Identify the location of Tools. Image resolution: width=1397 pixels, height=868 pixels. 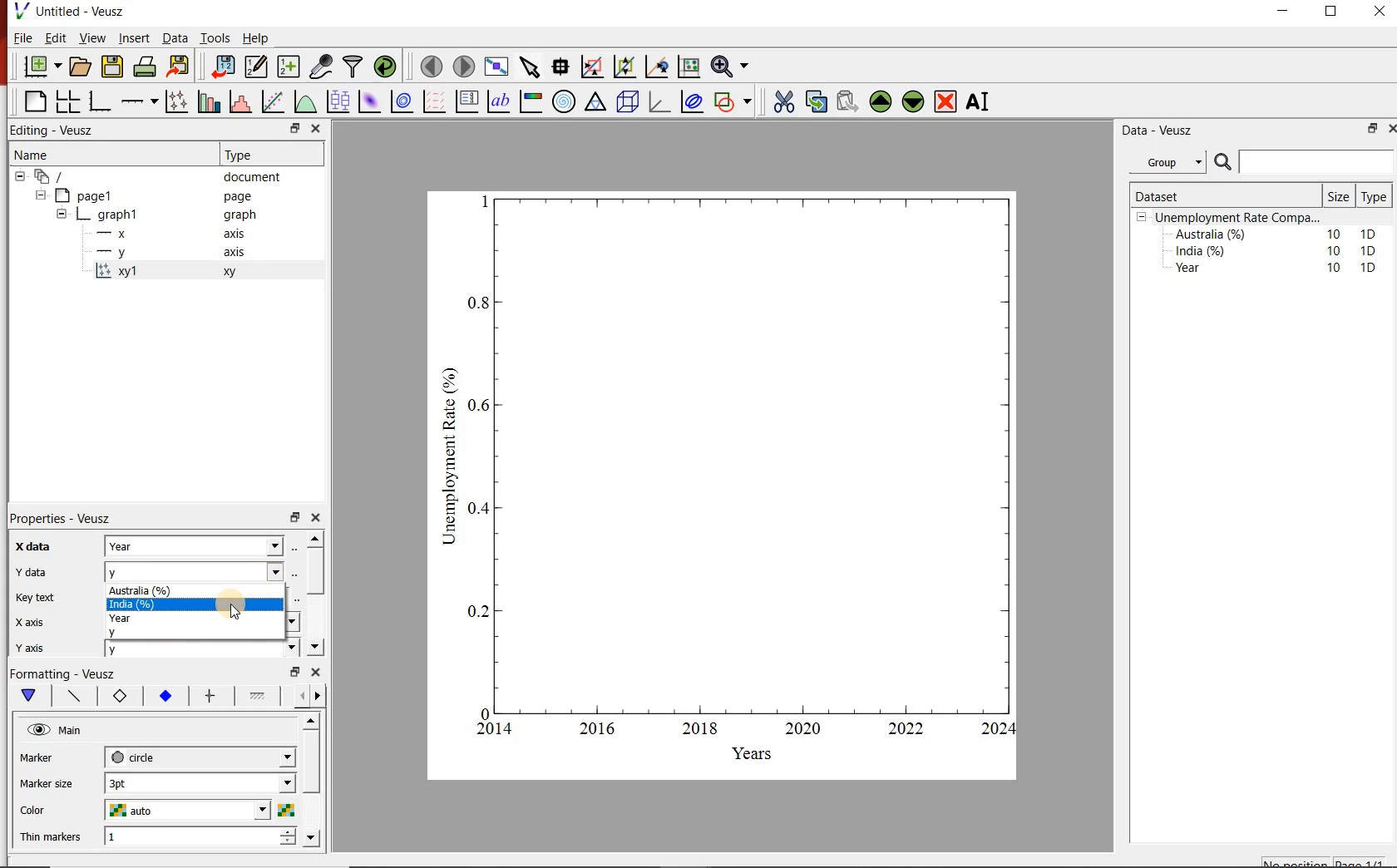
(216, 37).